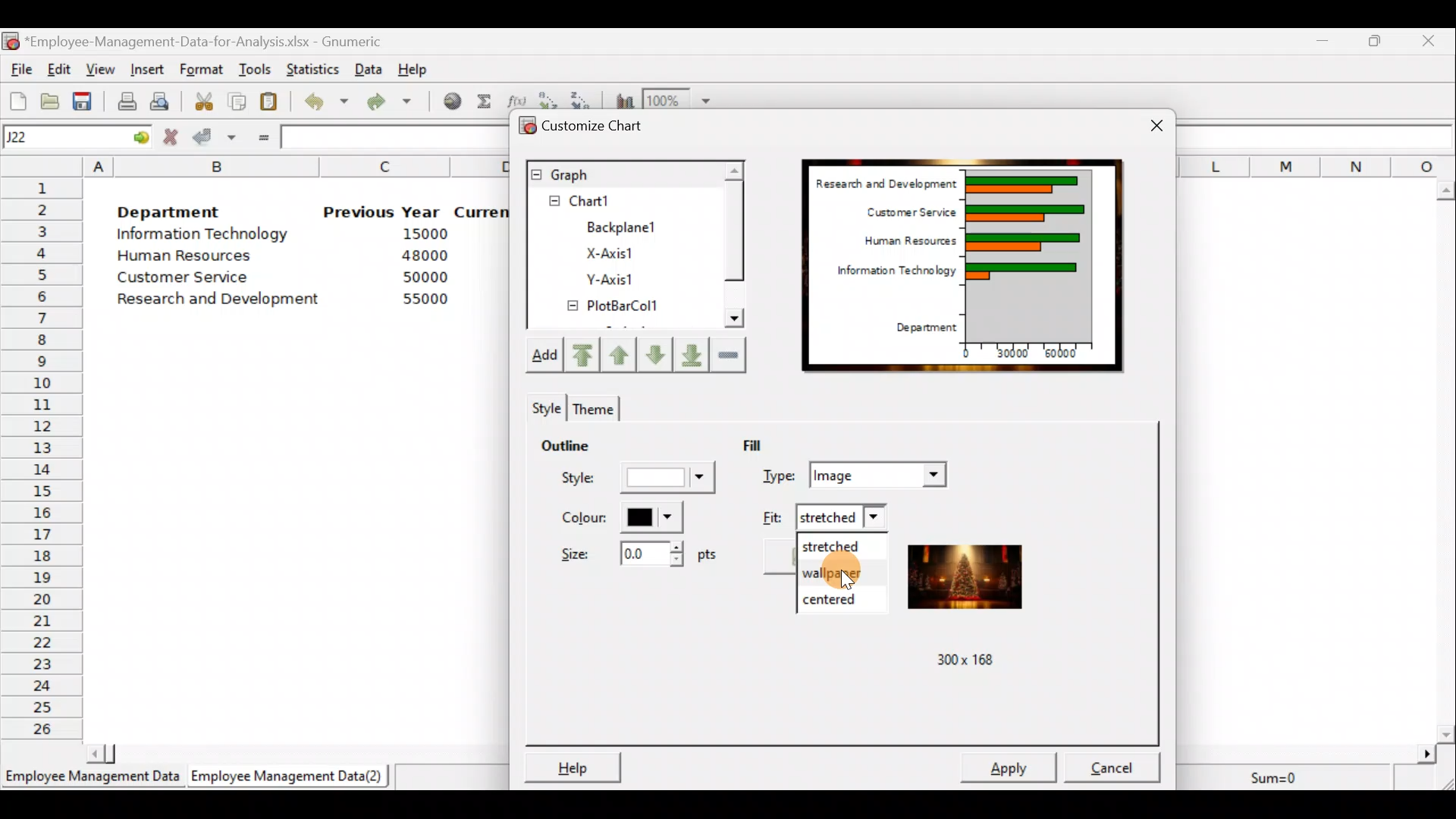 The height and width of the screenshot is (819, 1456). What do you see at coordinates (1030, 255) in the screenshot?
I see `Chart Preview` at bounding box center [1030, 255].